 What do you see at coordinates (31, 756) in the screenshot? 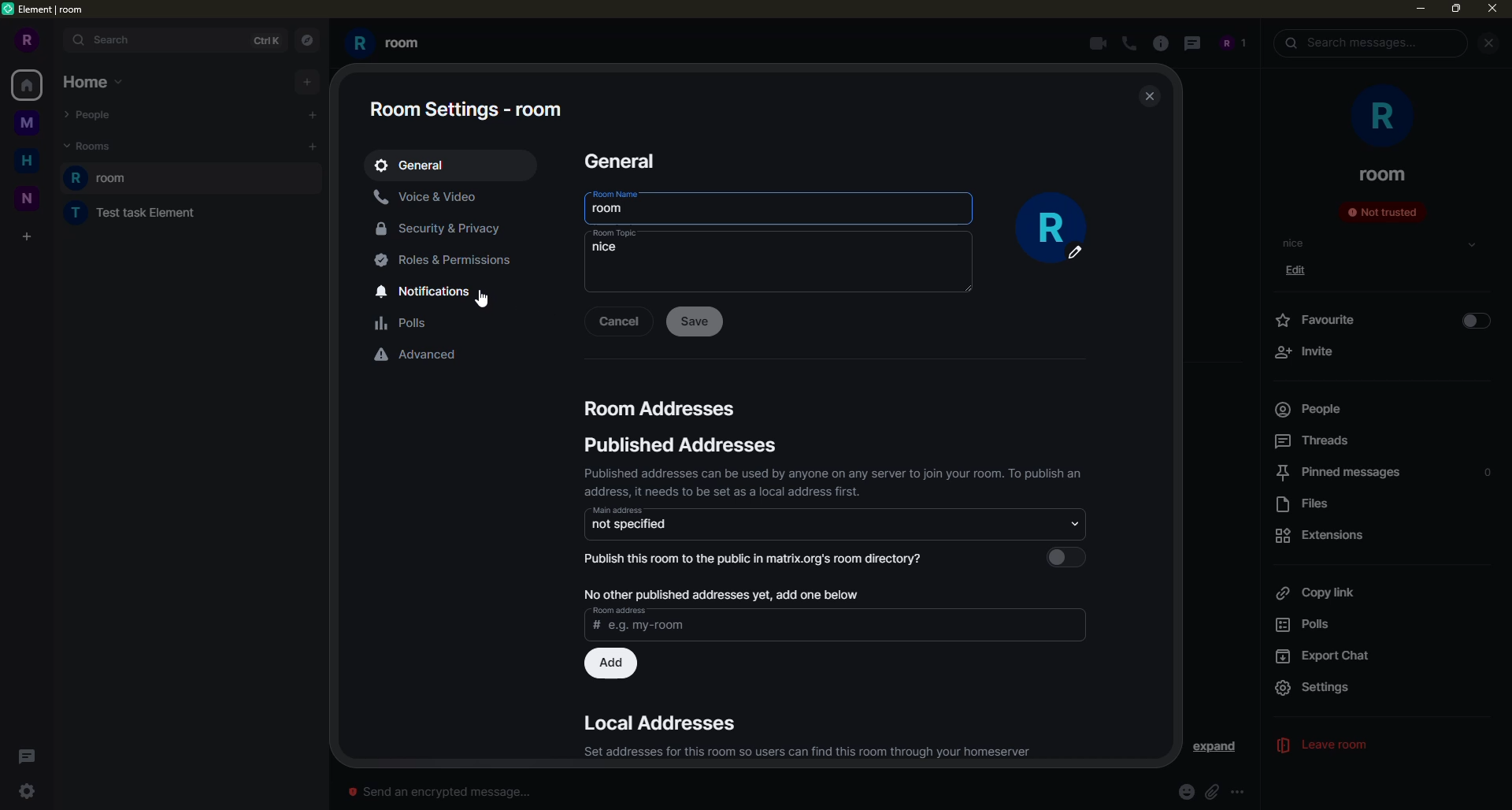
I see `threads` at bounding box center [31, 756].